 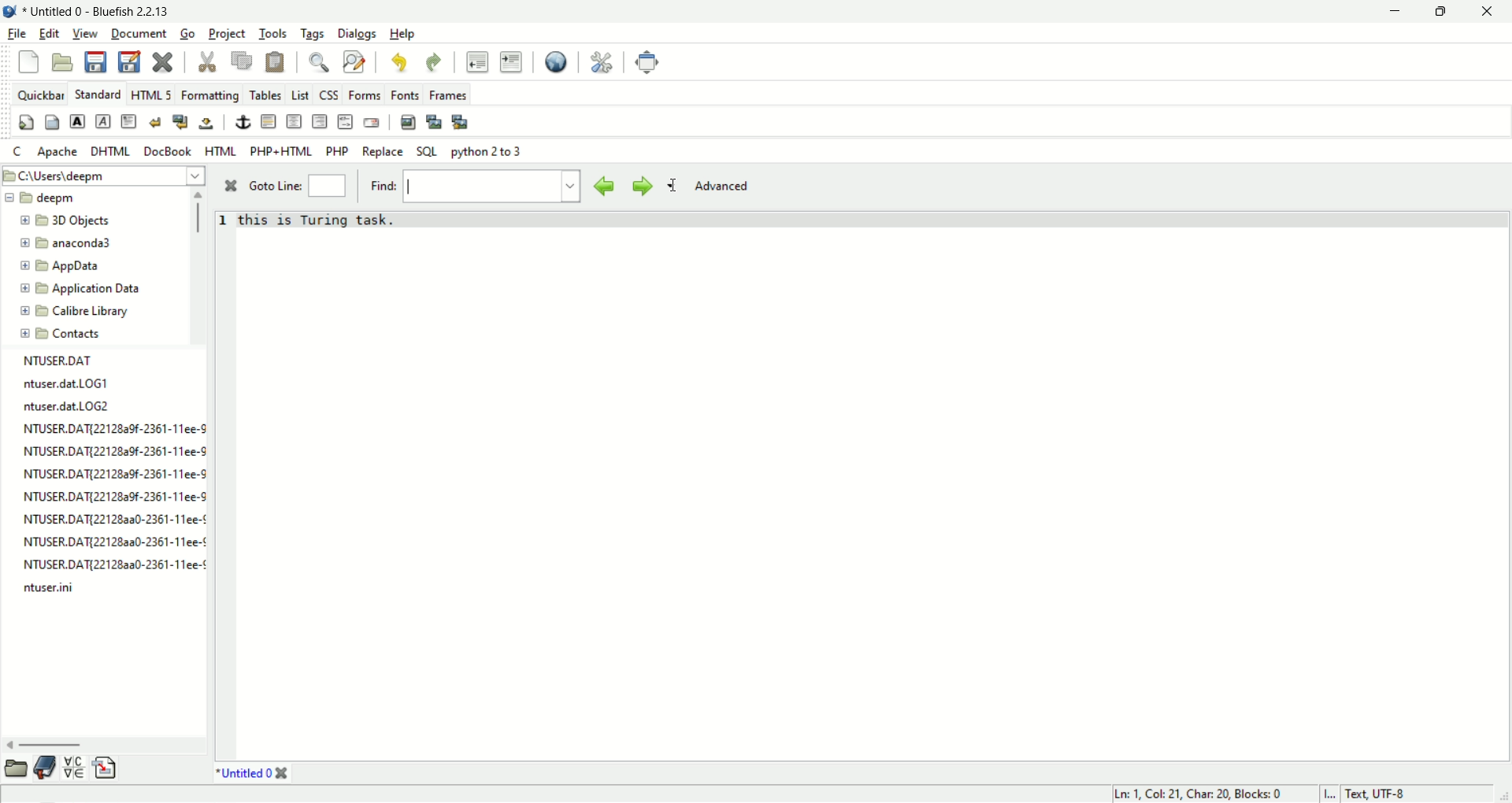 I want to click on Goto Line:, so click(x=277, y=187).